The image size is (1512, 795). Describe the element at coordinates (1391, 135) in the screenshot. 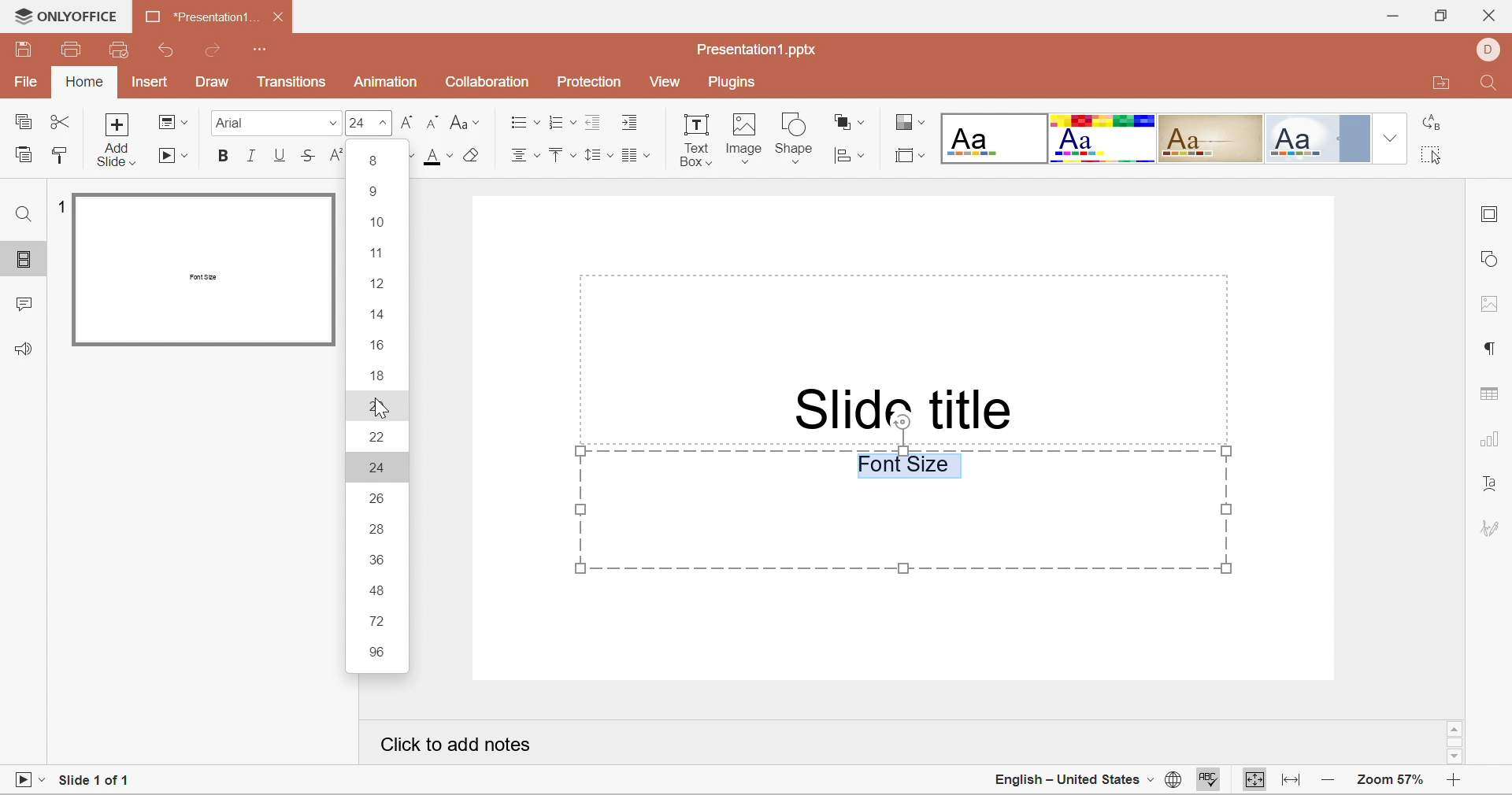

I see `Drop Down` at that location.